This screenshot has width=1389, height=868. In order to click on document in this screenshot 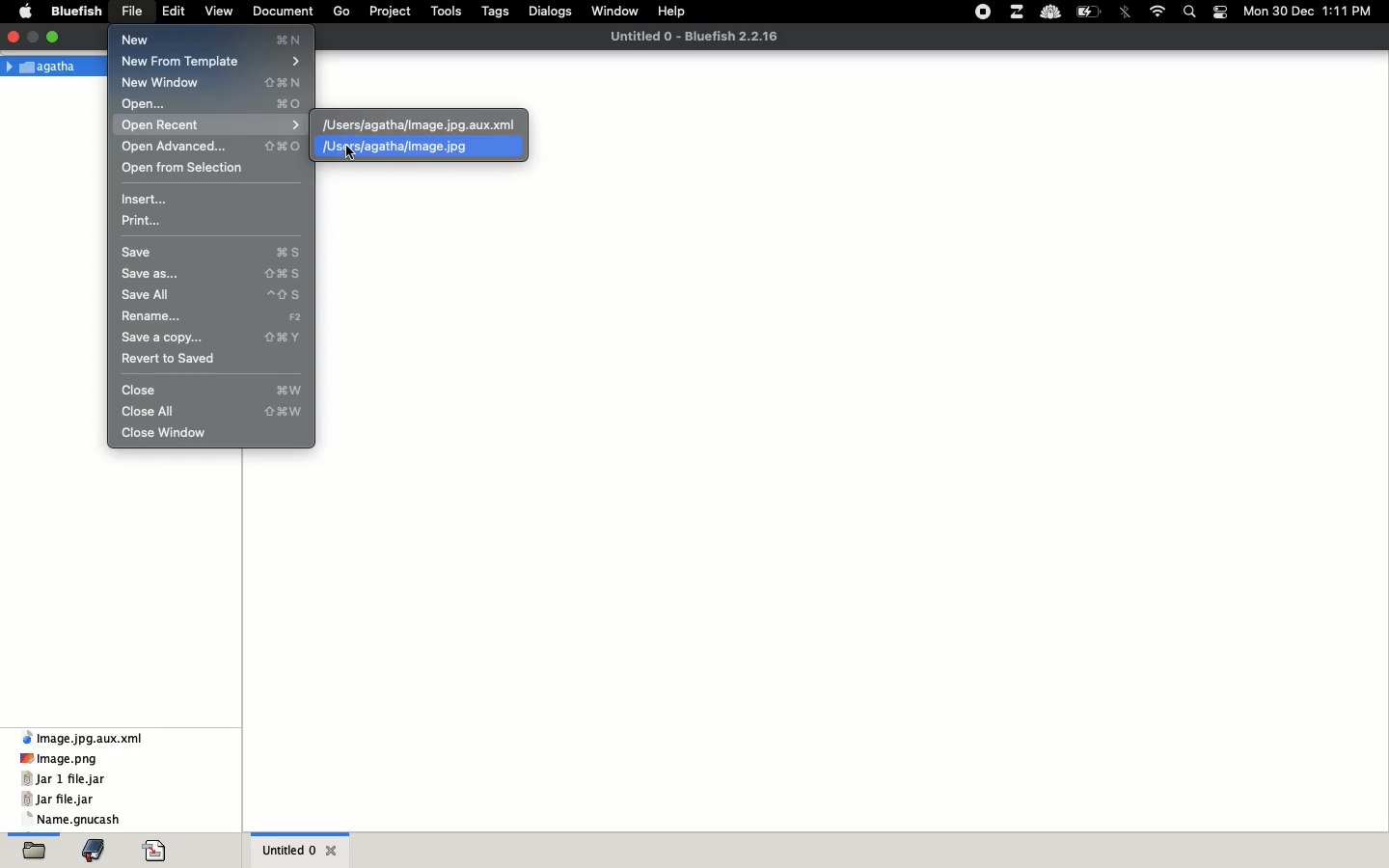, I will do `click(283, 9)`.